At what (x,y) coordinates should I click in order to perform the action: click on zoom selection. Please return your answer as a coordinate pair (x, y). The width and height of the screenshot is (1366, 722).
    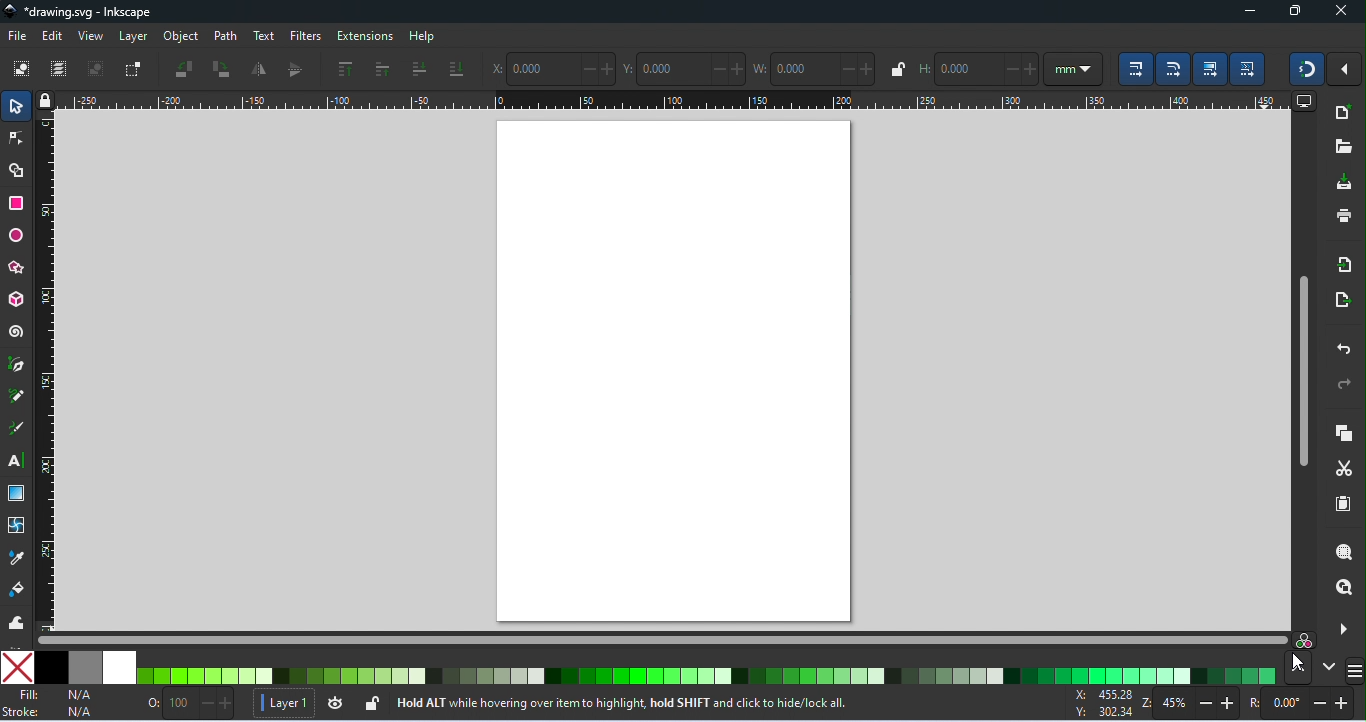
    Looking at the image, I should click on (1341, 552).